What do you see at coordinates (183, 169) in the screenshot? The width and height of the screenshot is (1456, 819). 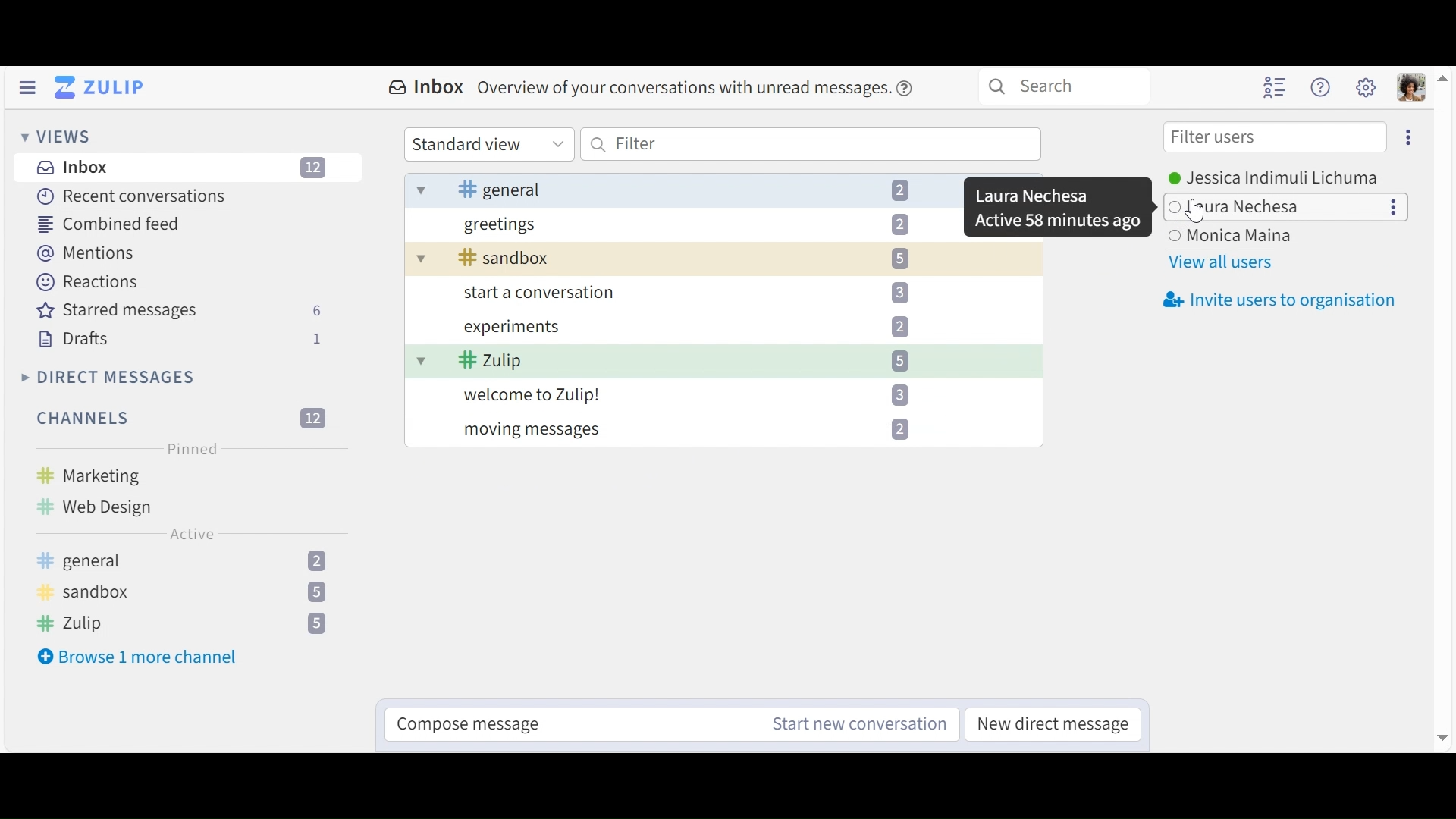 I see `Inboz` at bounding box center [183, 169].